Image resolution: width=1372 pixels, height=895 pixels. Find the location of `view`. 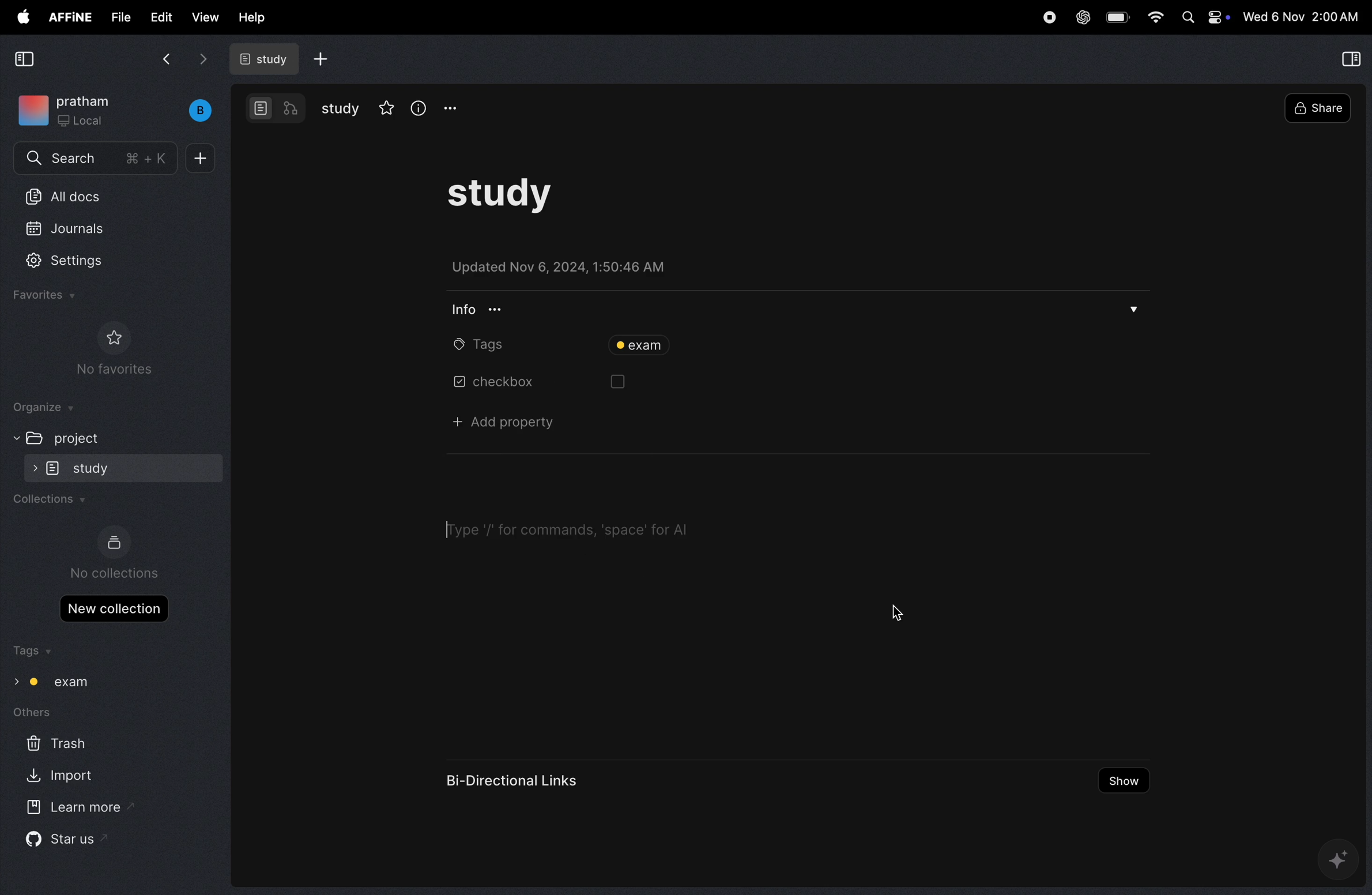

view is located at coordinates (205, 18).